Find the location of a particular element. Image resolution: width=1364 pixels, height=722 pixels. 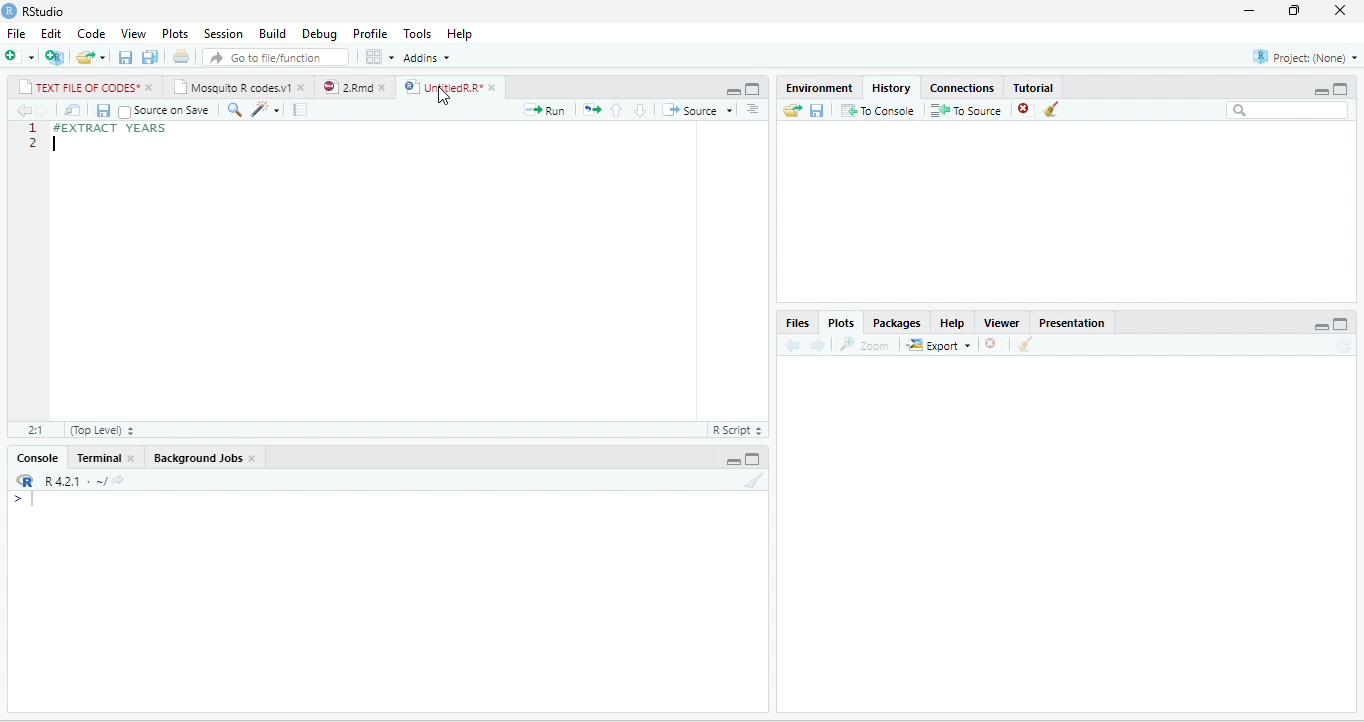

back is located at coordinates (792, 344).